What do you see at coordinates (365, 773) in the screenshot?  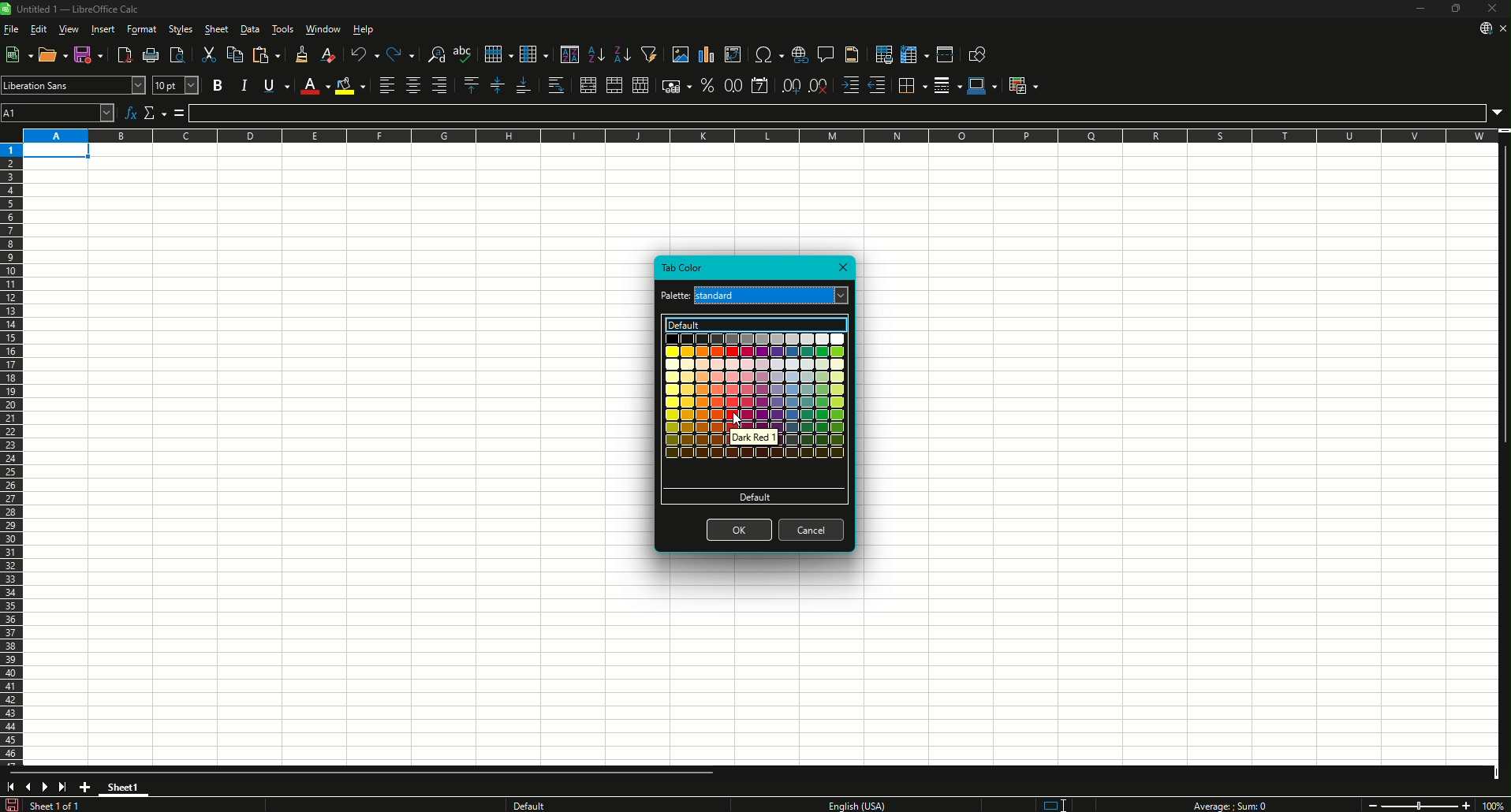 I see `Horizontal slide bar` at bounding box center [365, 773].